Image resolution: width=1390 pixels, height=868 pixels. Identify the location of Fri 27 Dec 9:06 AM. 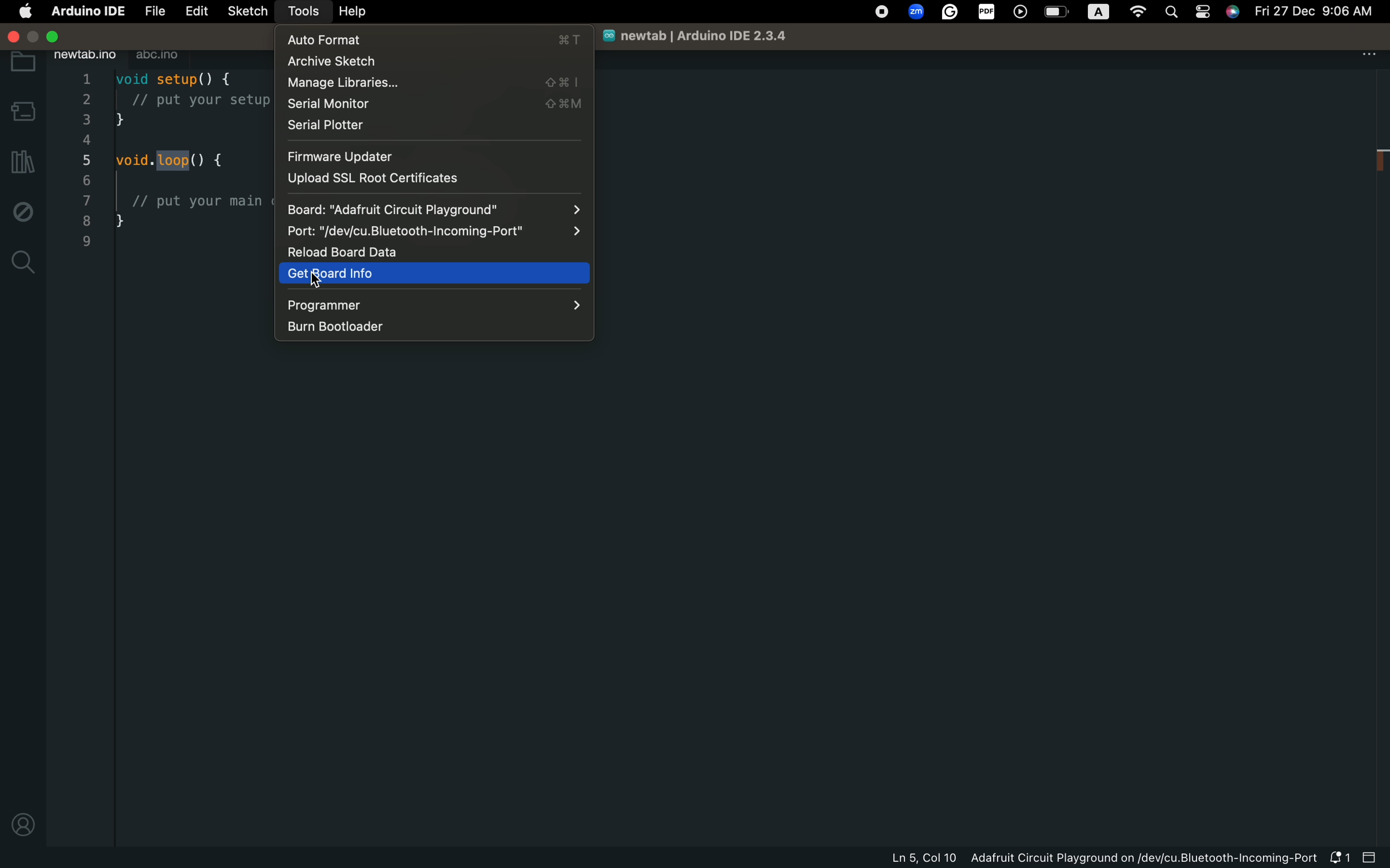
(1312, 12).